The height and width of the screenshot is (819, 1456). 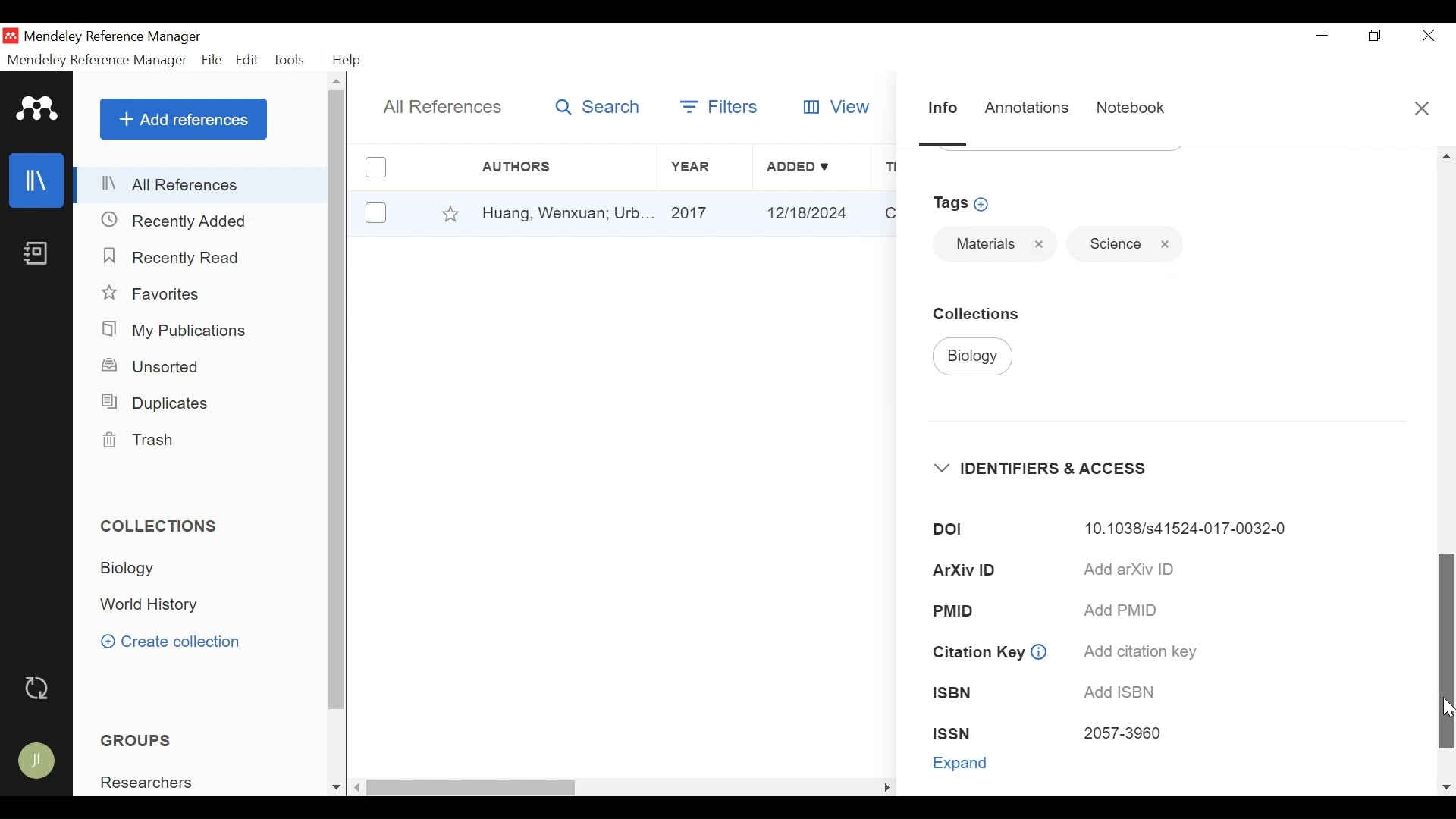 I want to click on Filters, so click(x=720, y=104).